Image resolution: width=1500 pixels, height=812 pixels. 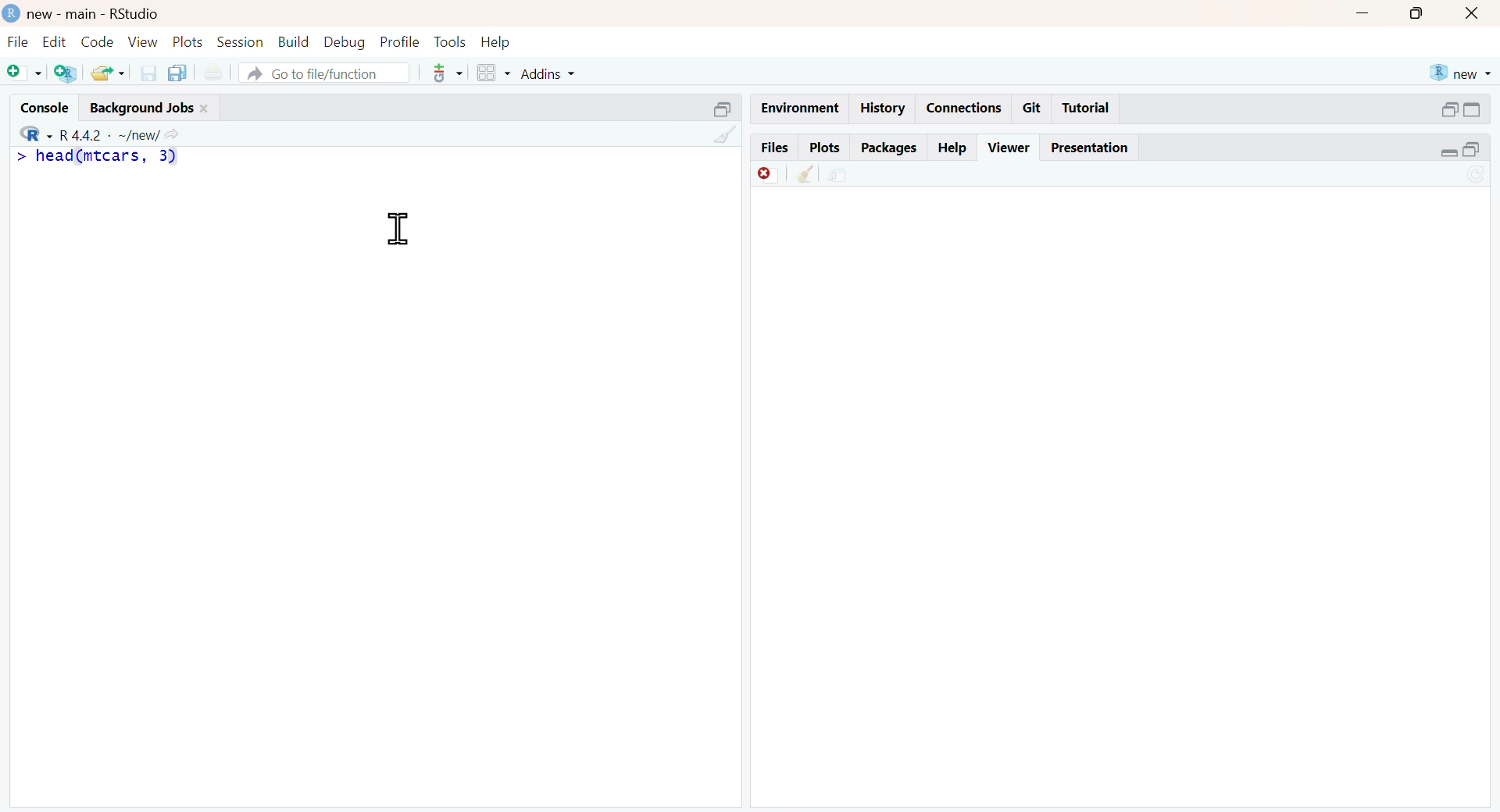 I want to click on Git, so click(x=1033, y=107).